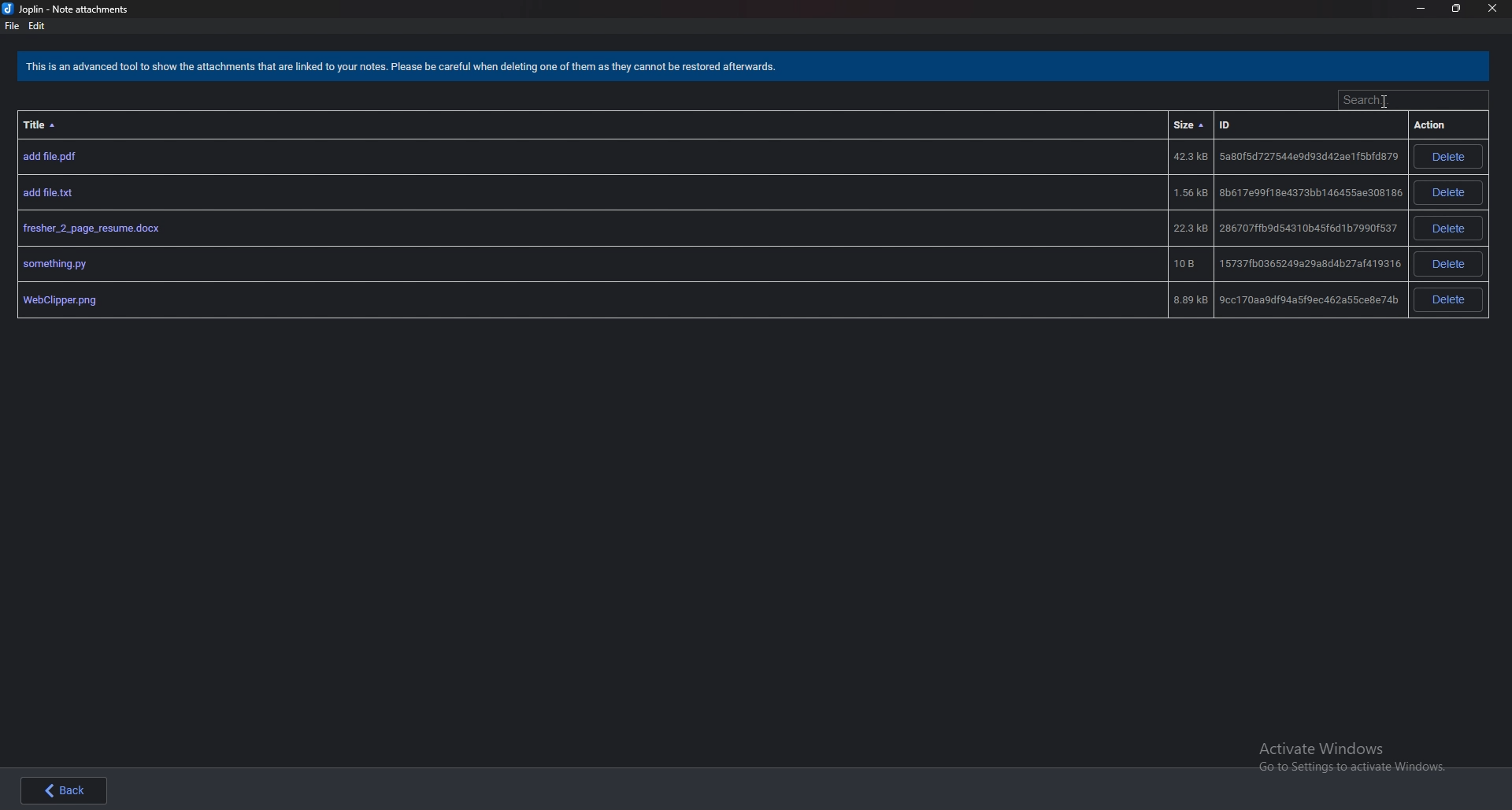 This screenshot has width=1512, height=810. What do you see at coordinates (1421, 9) in the screenshot?
I see `minimize` at bounding box center [1421, 9].